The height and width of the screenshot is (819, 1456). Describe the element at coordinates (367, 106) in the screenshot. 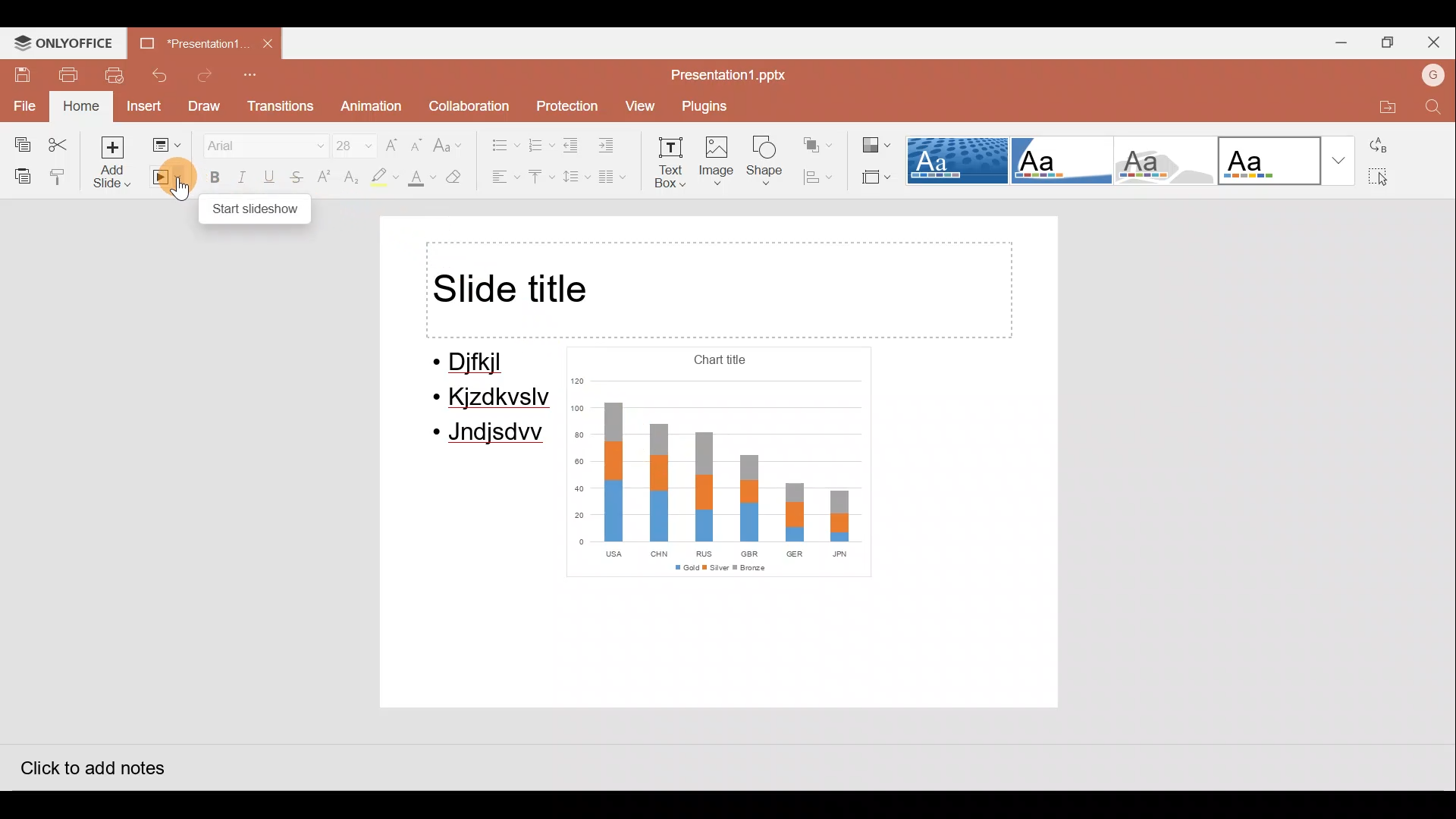

I see `Animation` at that location.